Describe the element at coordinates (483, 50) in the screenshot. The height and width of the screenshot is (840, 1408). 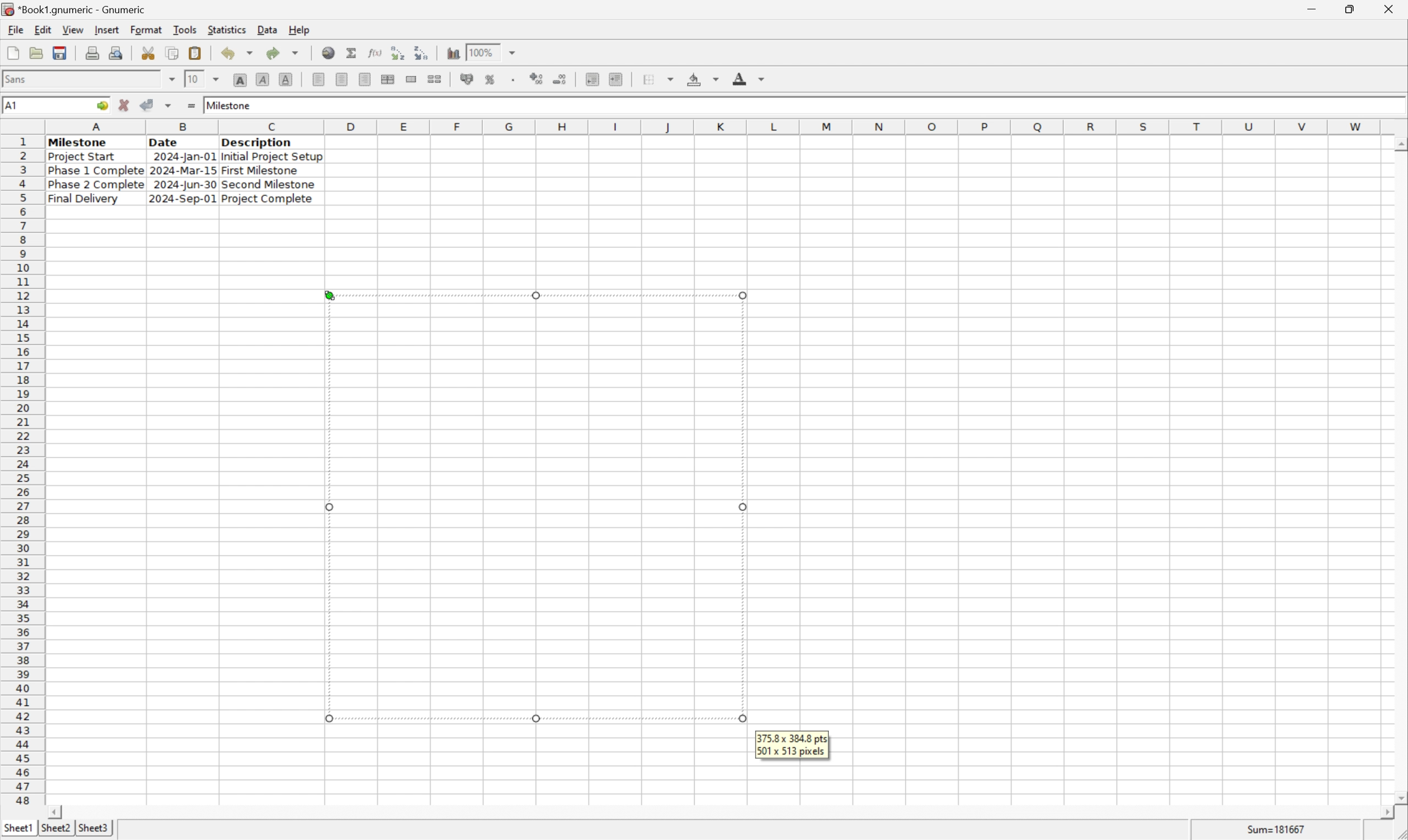
I see `100%` at that location.